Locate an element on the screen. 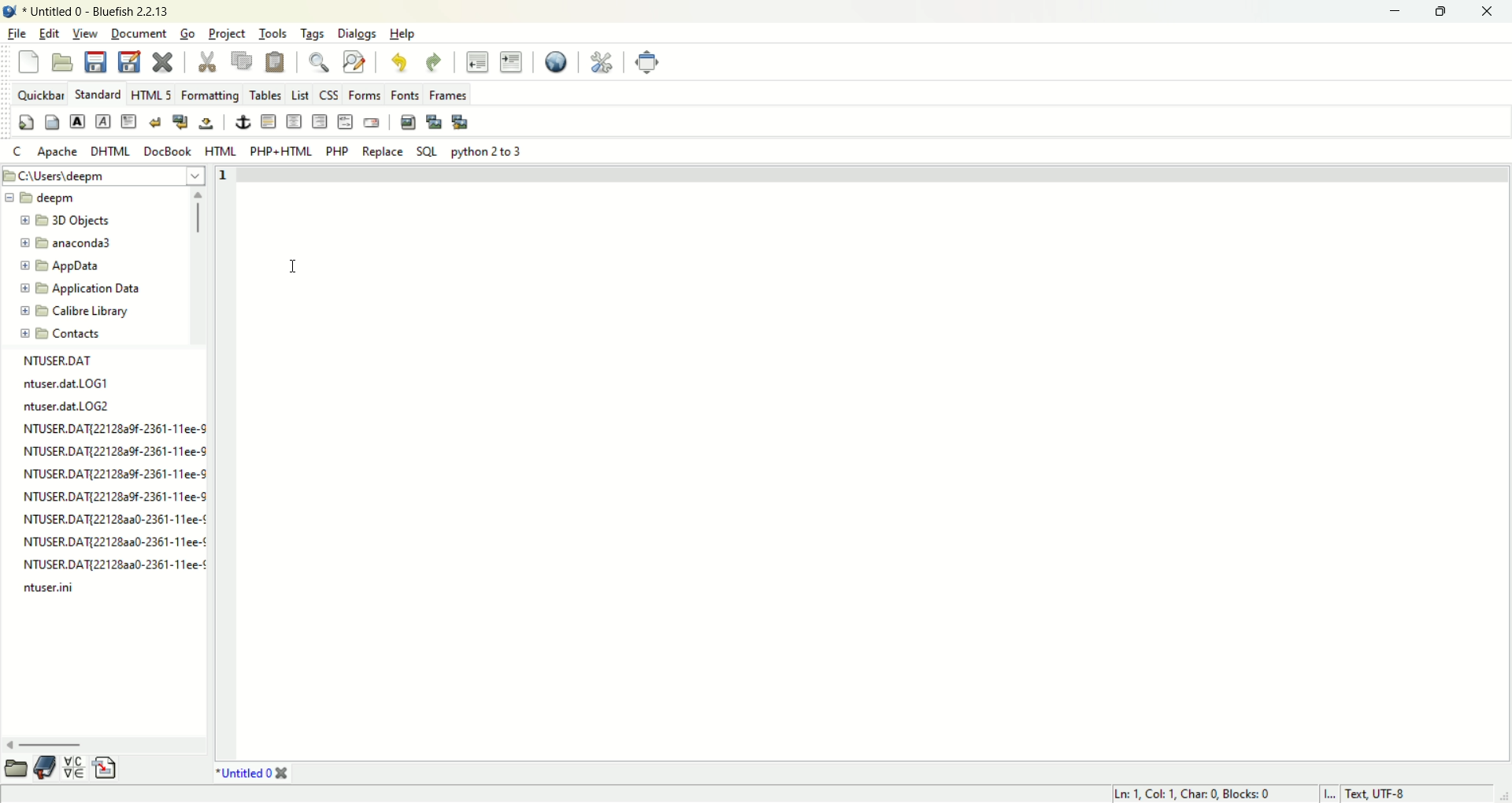  Python 2 to 3 is located at coordinates (487, 150).